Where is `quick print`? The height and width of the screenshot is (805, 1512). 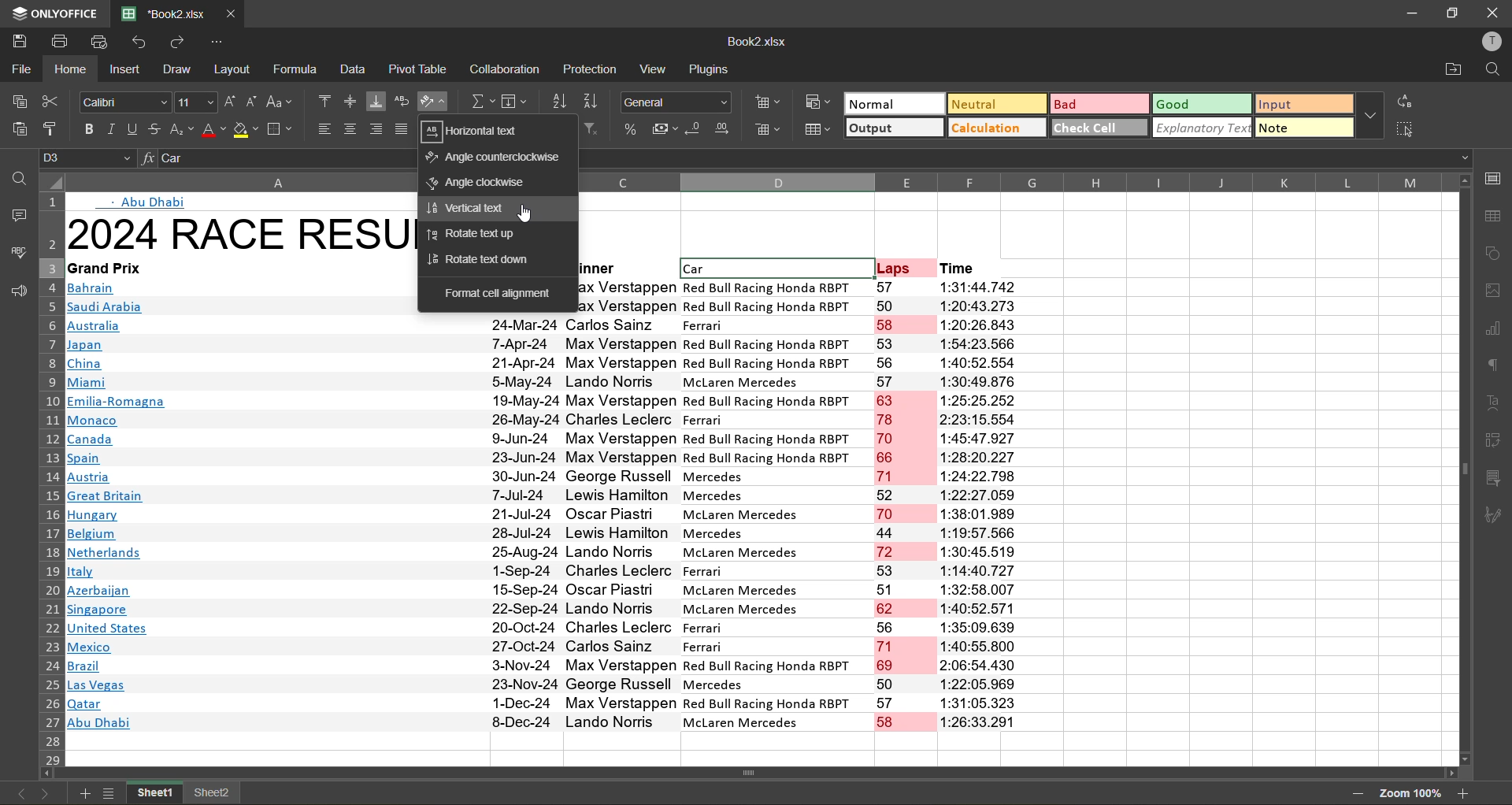
quick print is located at coordinates (99, 39).